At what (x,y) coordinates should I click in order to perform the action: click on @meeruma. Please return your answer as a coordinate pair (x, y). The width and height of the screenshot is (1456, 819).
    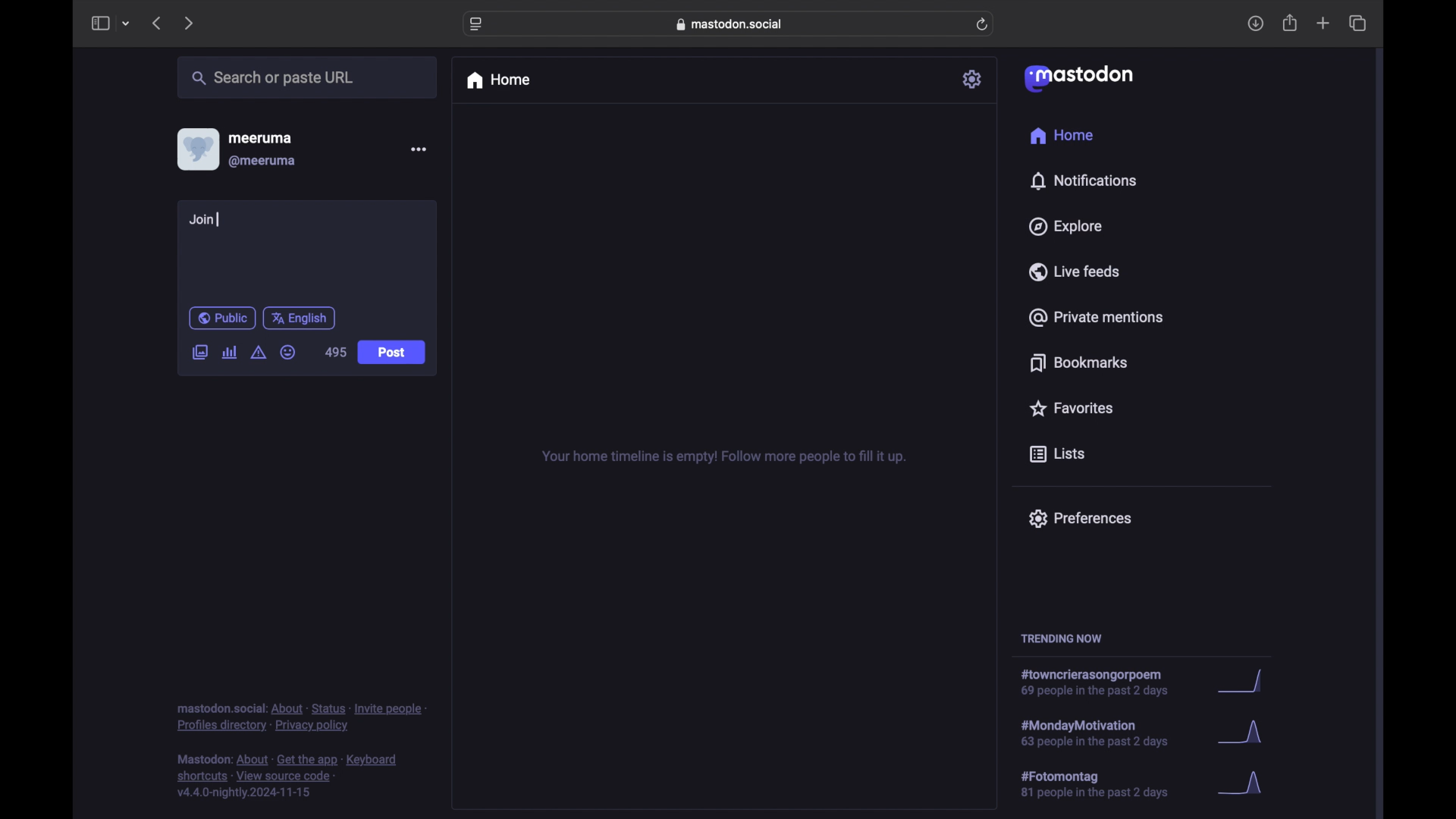
    Looking at the image, I should click on (262, 162).